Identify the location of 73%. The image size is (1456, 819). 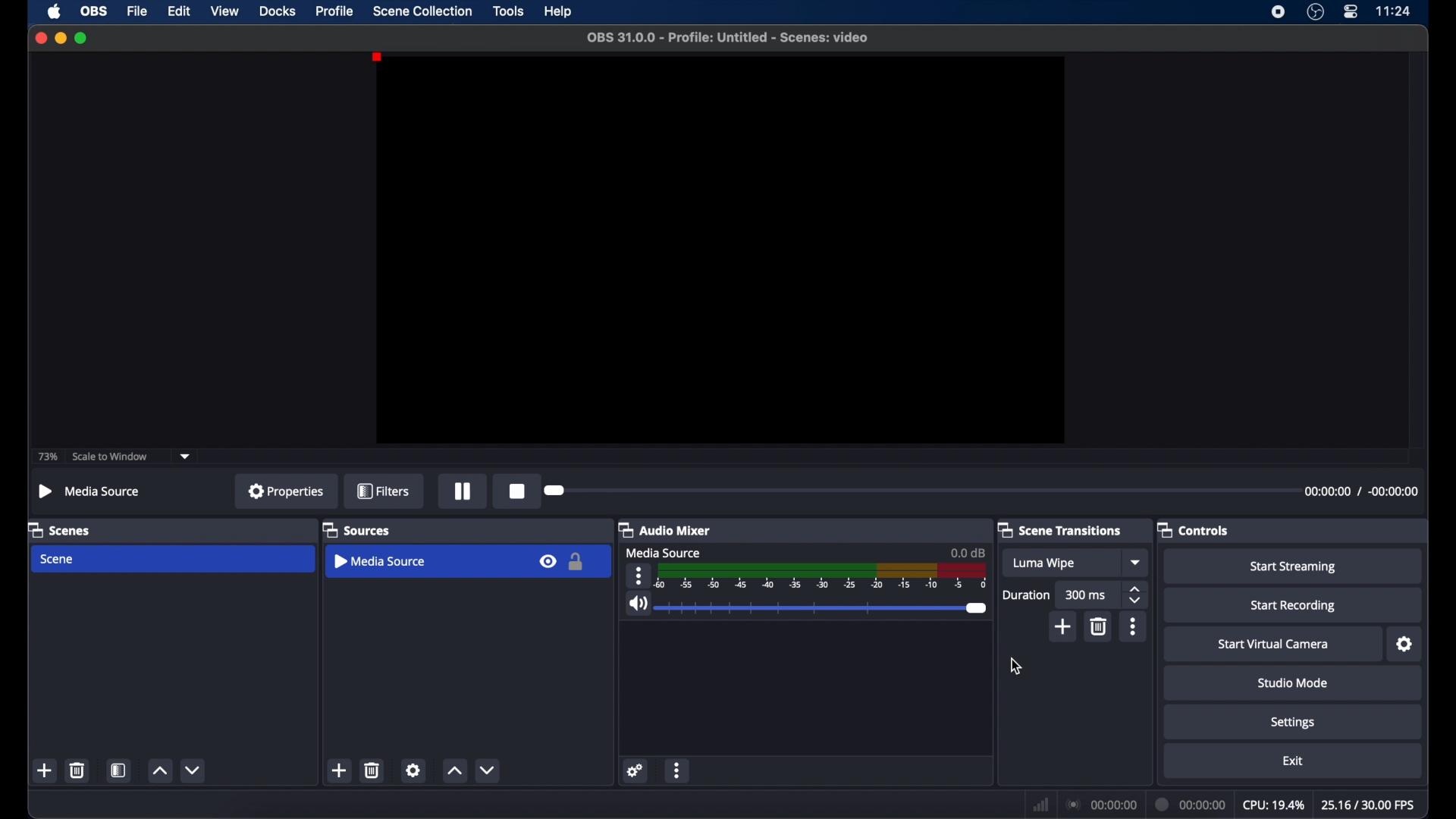
(47, 457).